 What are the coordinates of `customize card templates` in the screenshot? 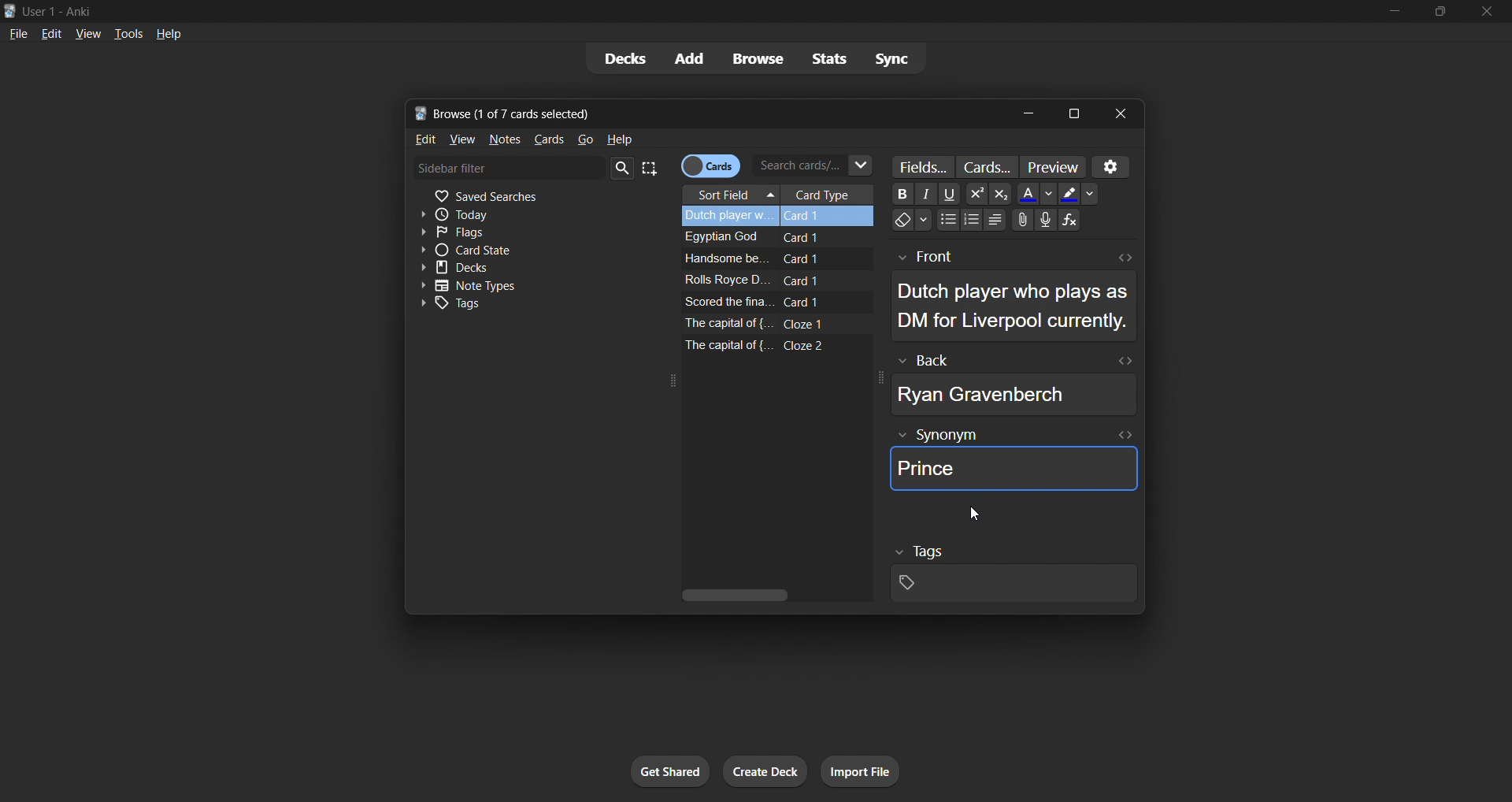 It's located at (989, 166).